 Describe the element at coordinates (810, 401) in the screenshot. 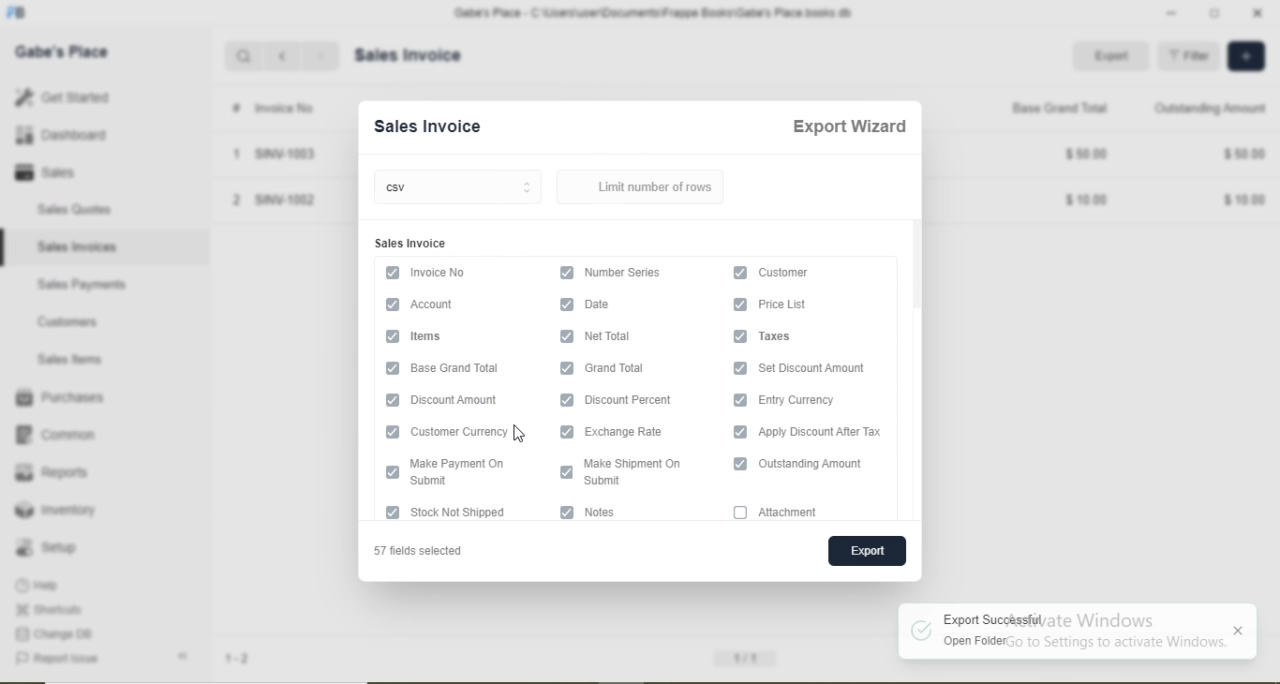

I see `Entry Currency` at that location.